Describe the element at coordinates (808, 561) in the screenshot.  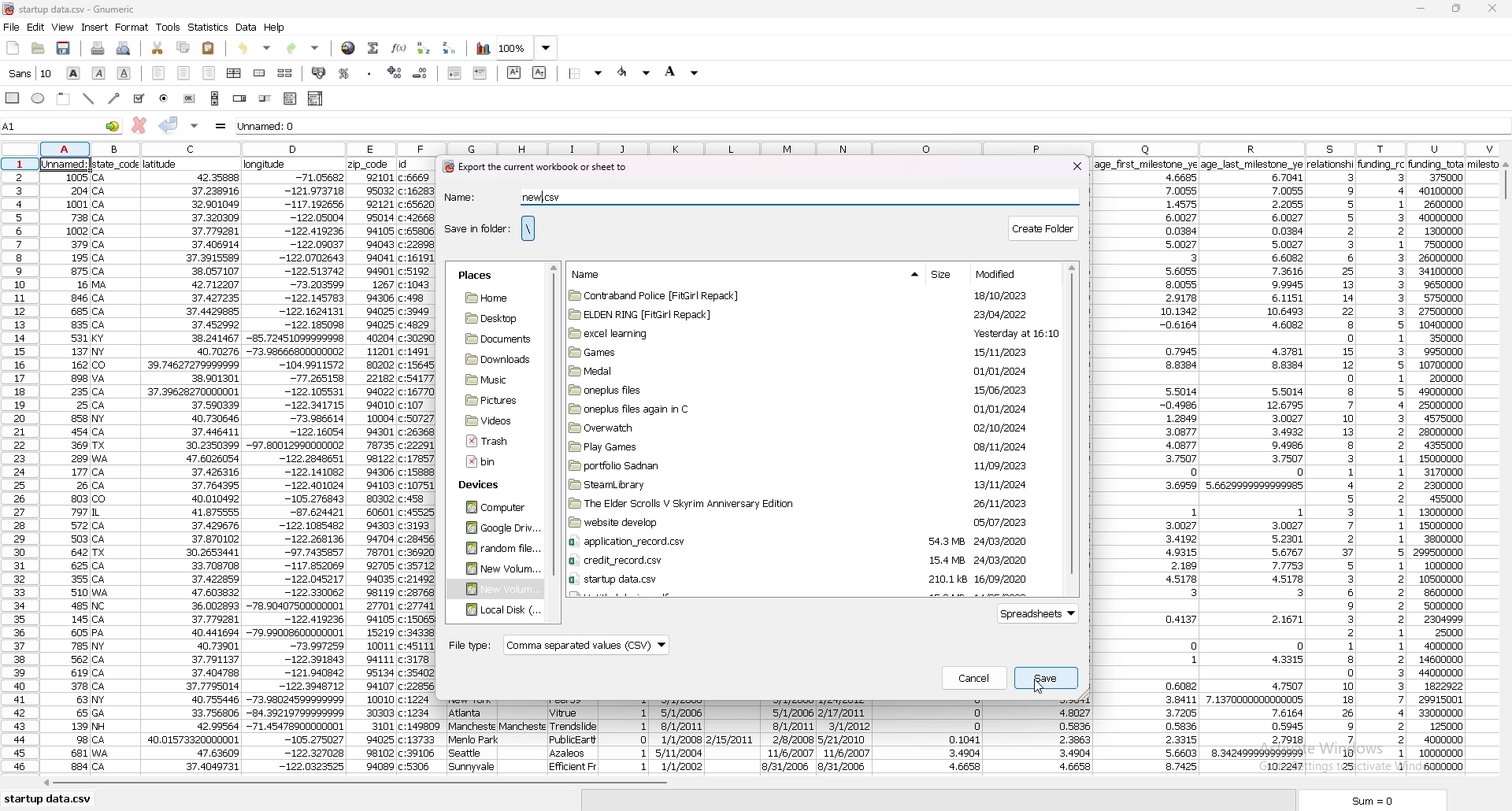
I see `folder` at that location.